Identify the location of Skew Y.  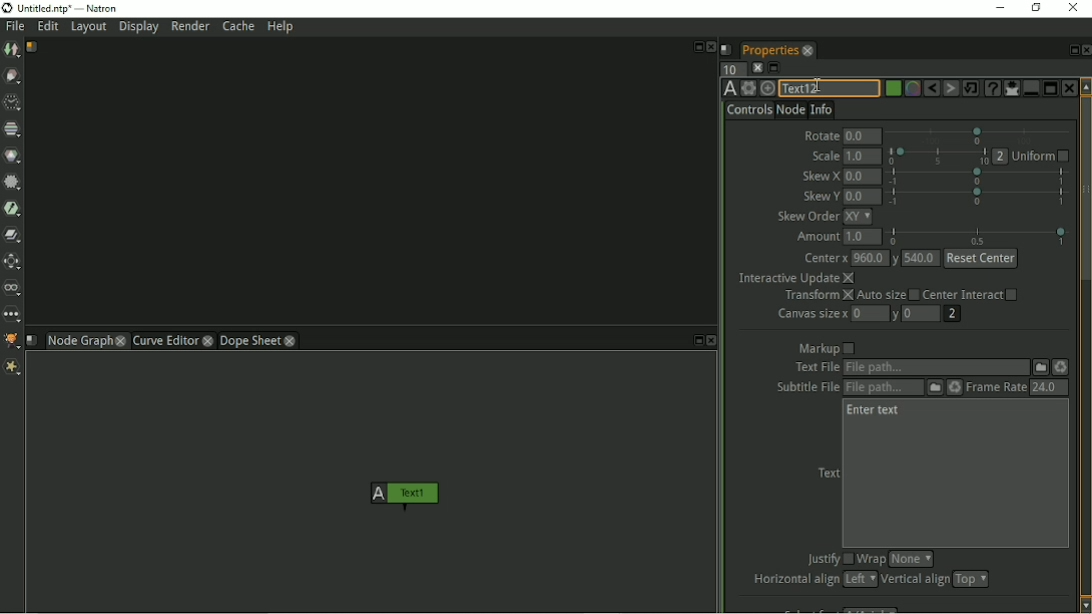
(819, 196).